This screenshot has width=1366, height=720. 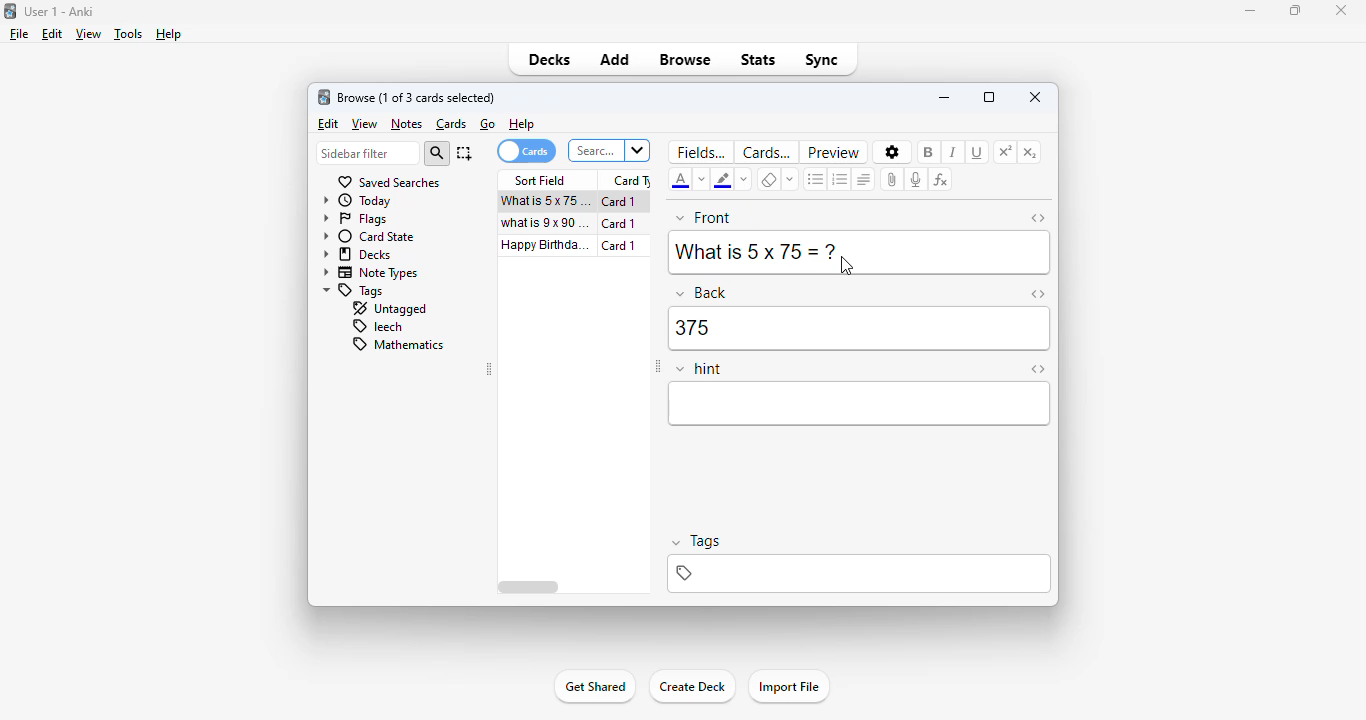 I want to click on card state, so click(x=369, y=236).